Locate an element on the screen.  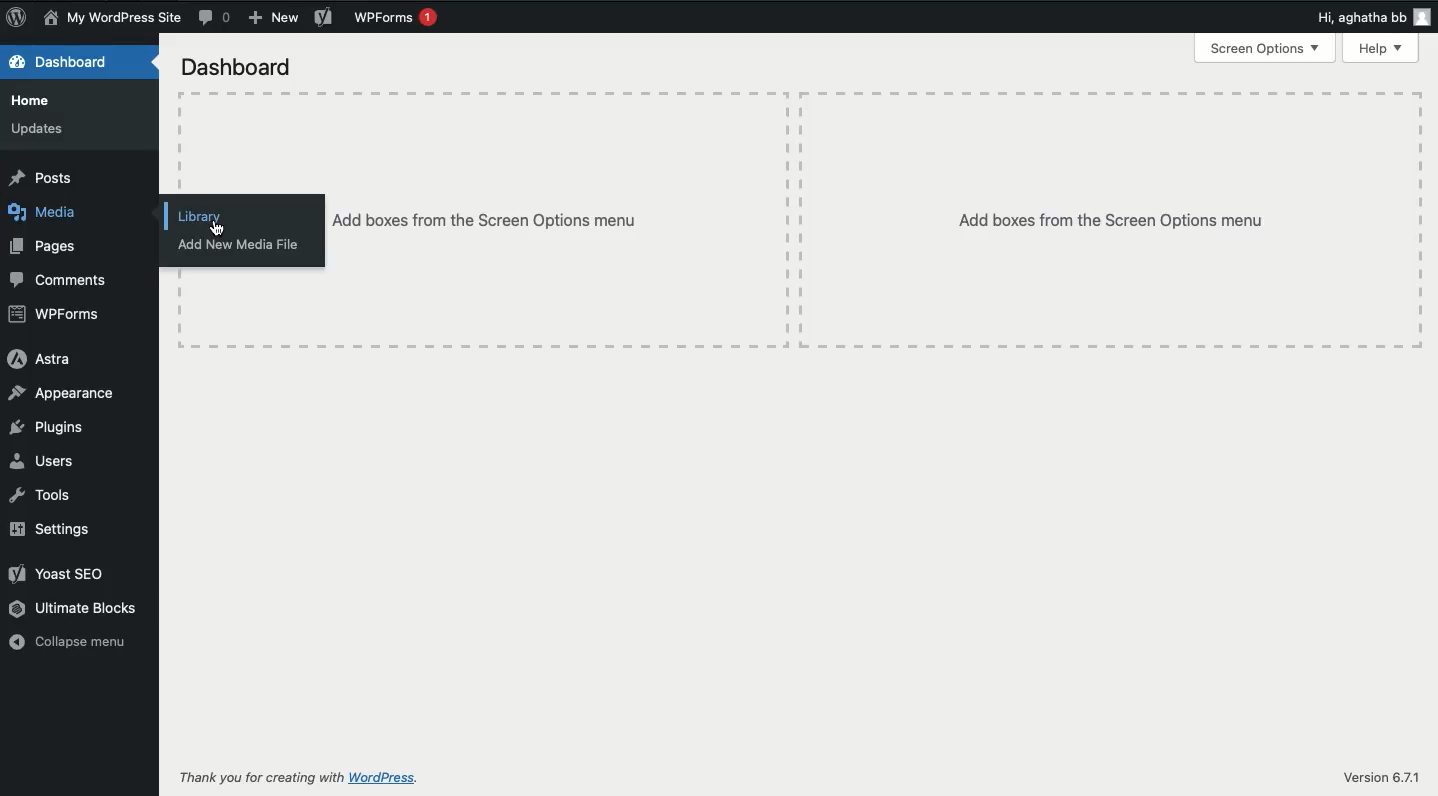
Add boxes from the screen options menu is located at coordinates (565, 219).